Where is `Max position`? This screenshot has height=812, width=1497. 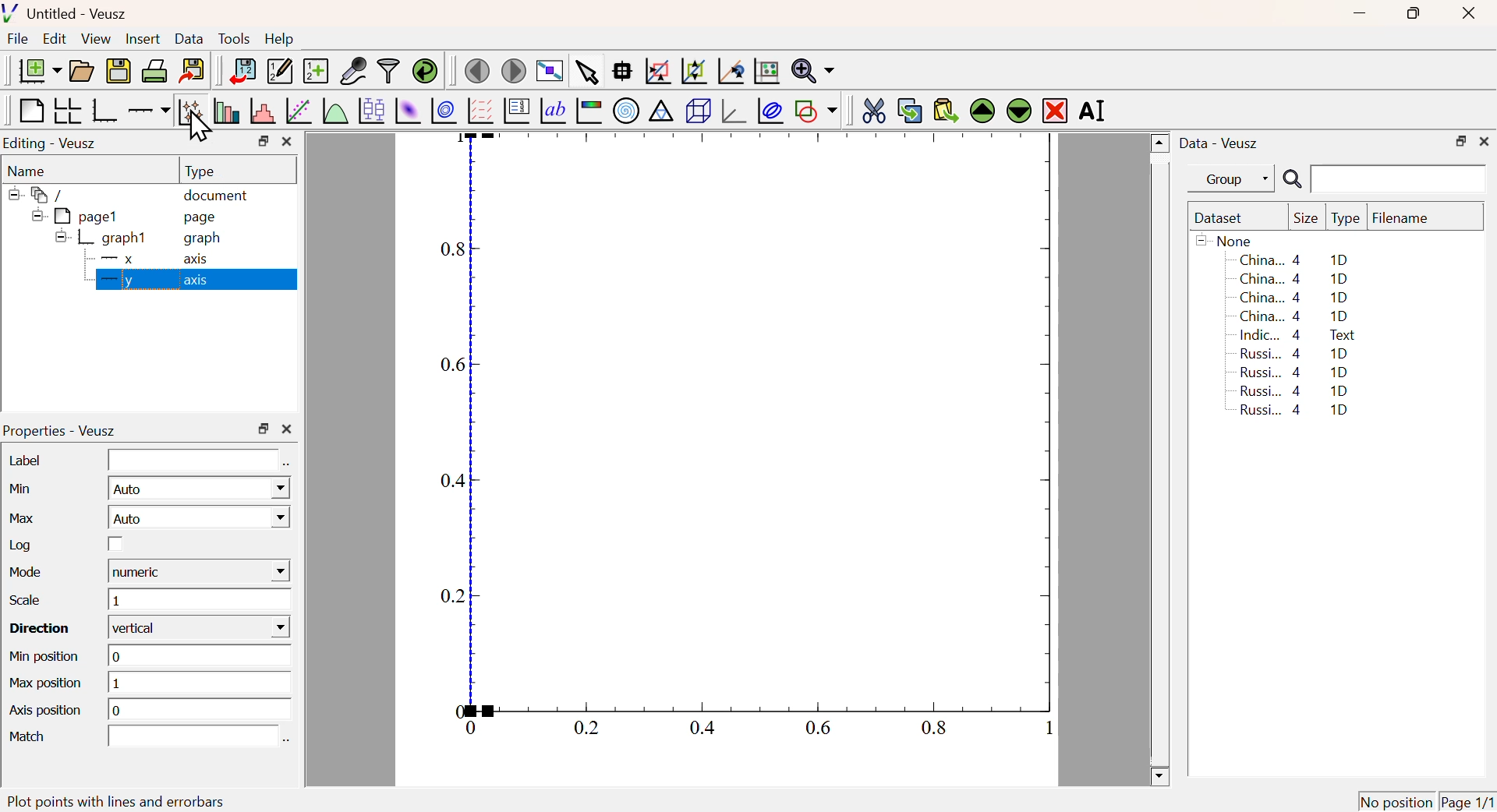
Max position is located at coordinates (48, 684).